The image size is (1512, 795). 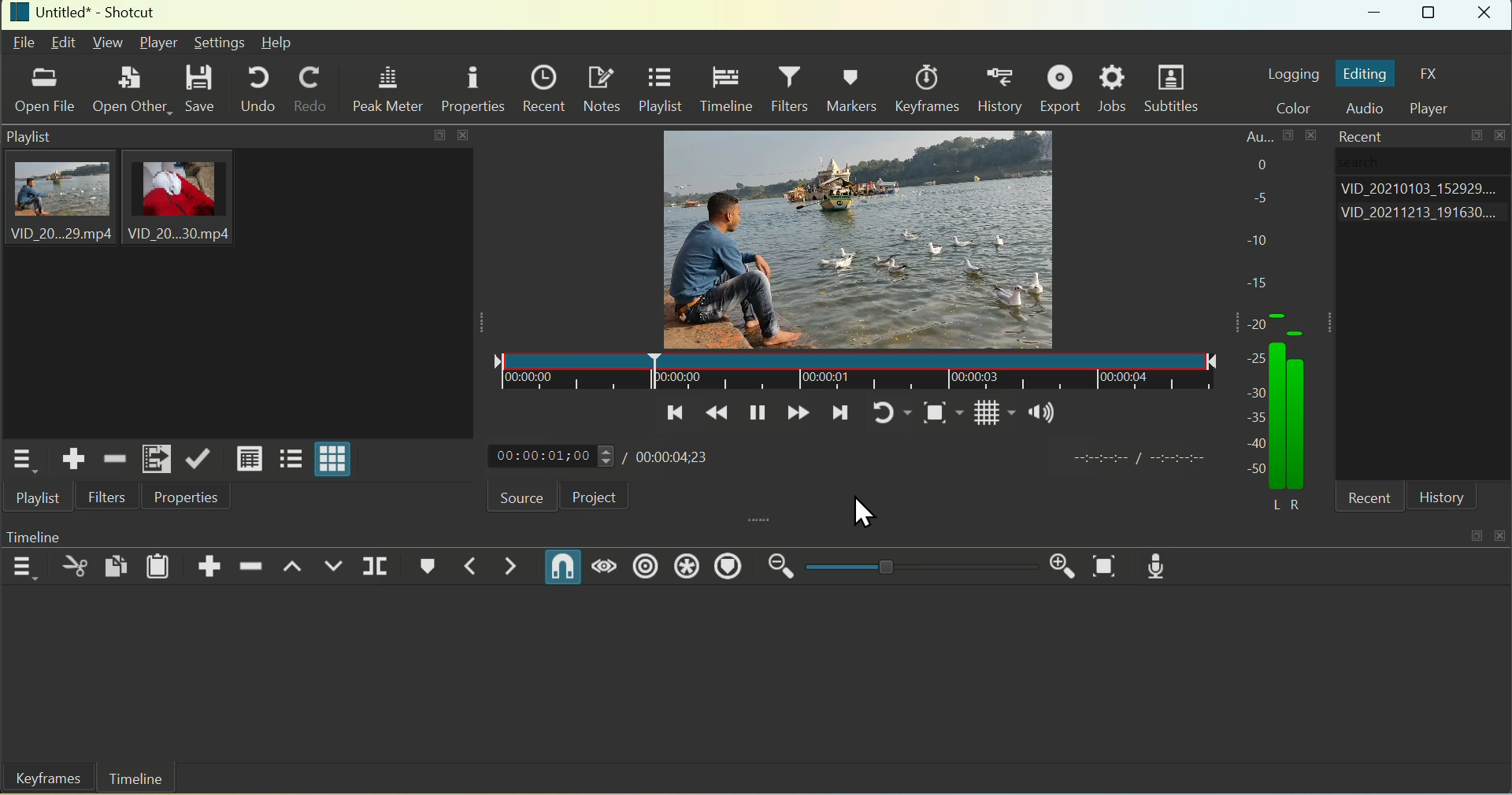 I want to click on Open Other, so click(x=128, y=87).